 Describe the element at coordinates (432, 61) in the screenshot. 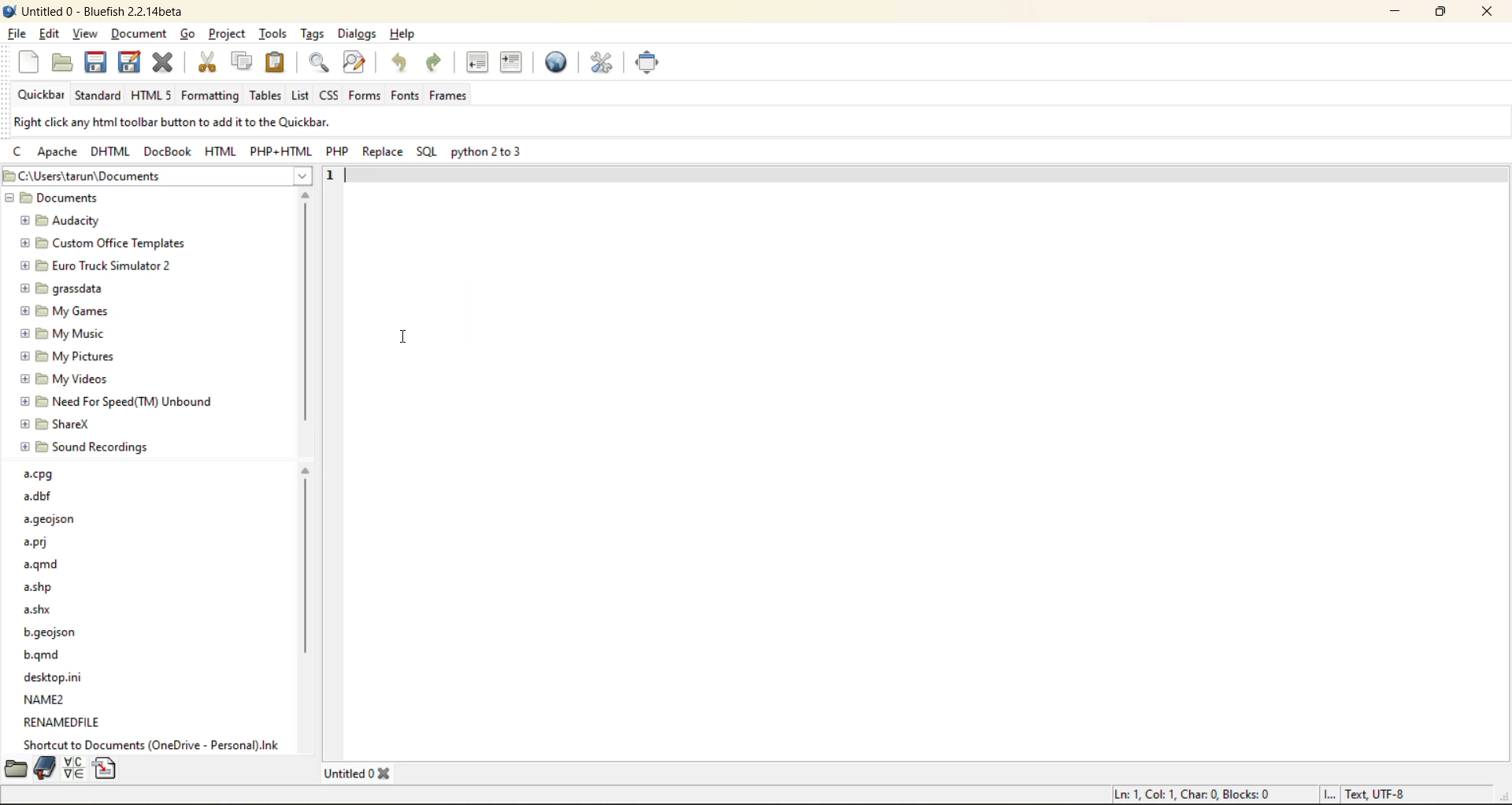

I see `redo` at that location.